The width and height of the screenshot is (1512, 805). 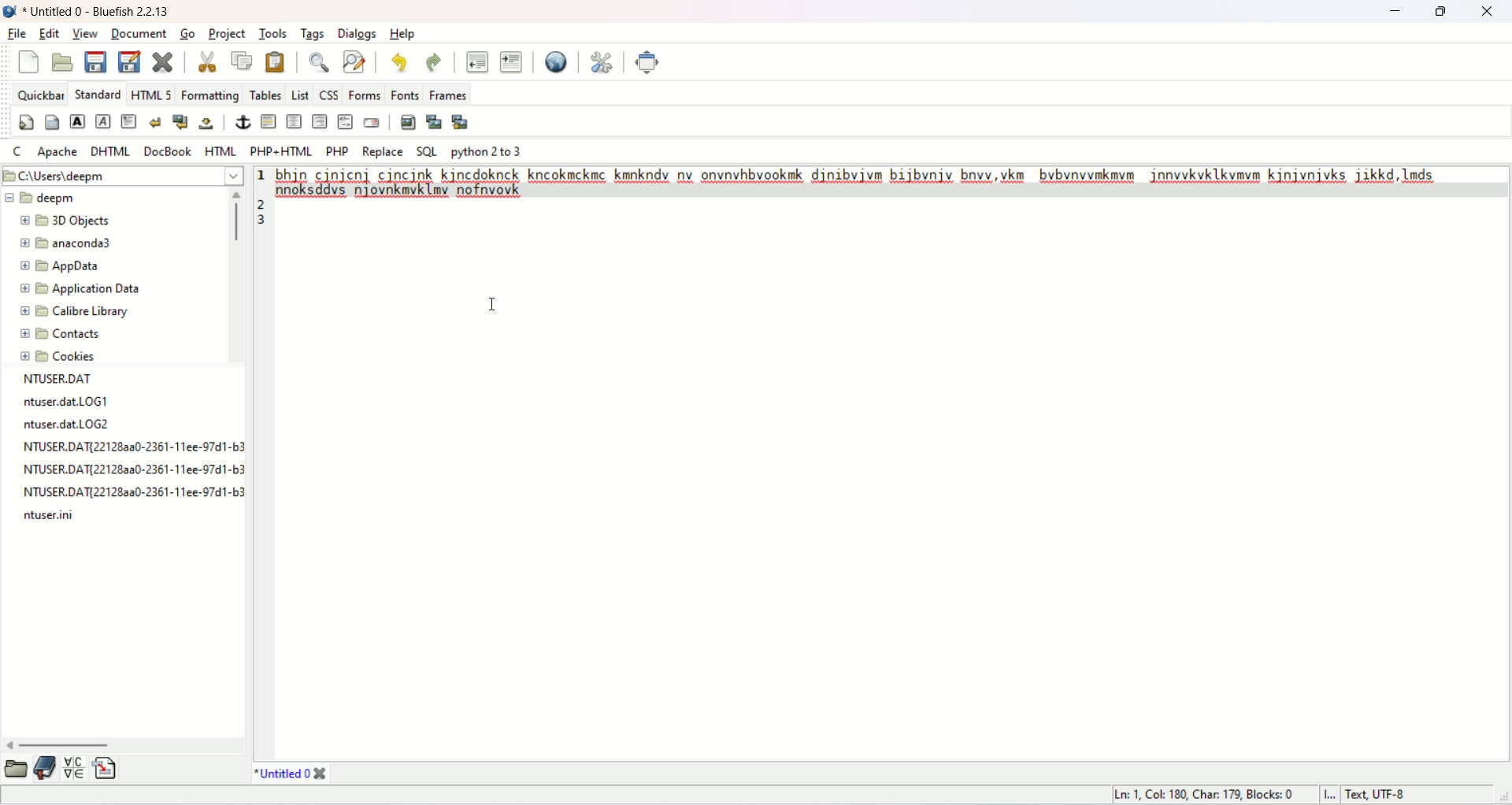 What do you see at coordinates (139, 35) in the screenshot?
I see `document` at bounding box center [139, 35].